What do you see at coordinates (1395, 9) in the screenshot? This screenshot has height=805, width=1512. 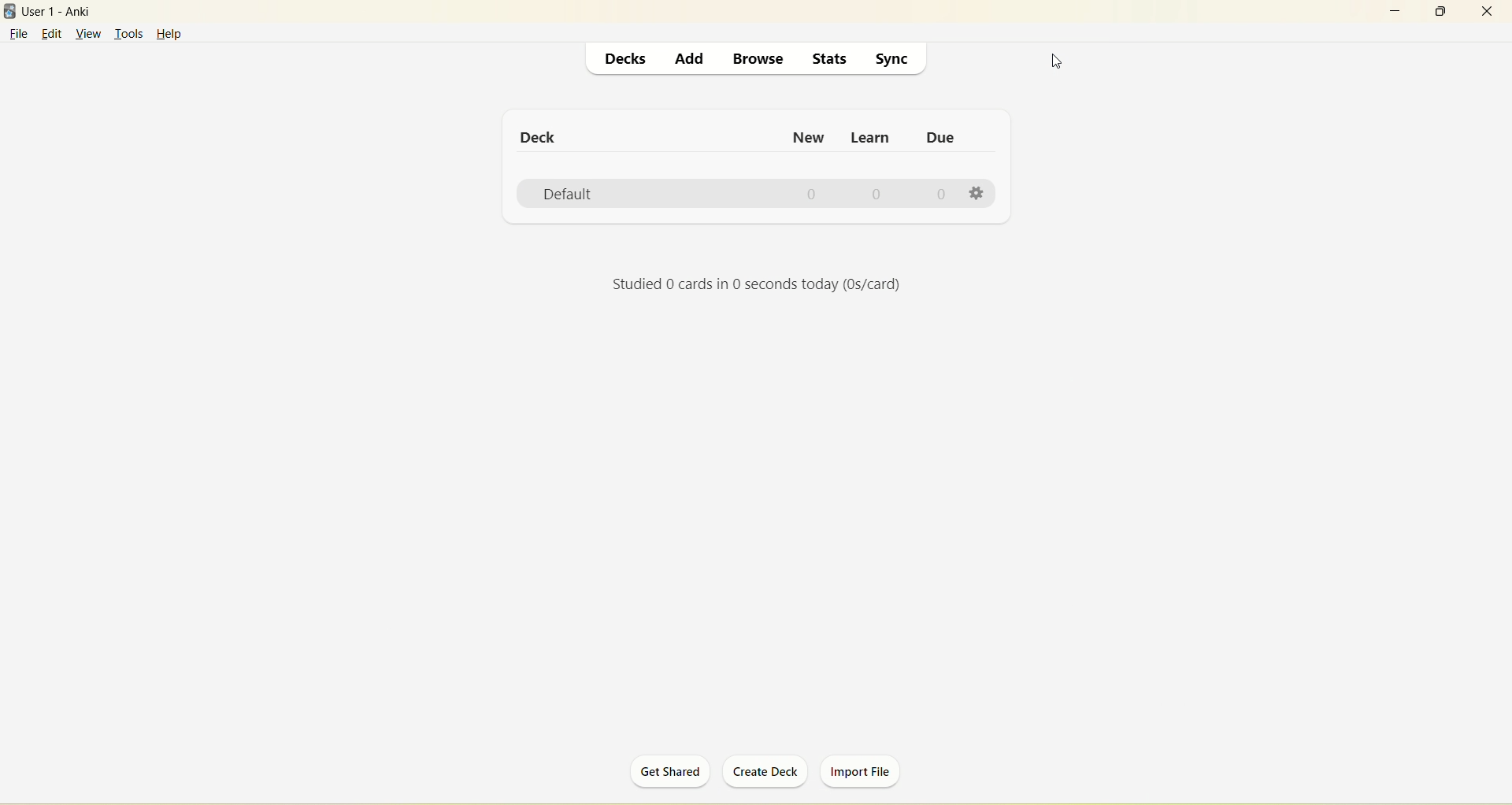 I see `minimize` at bounding box center [1395, 9].